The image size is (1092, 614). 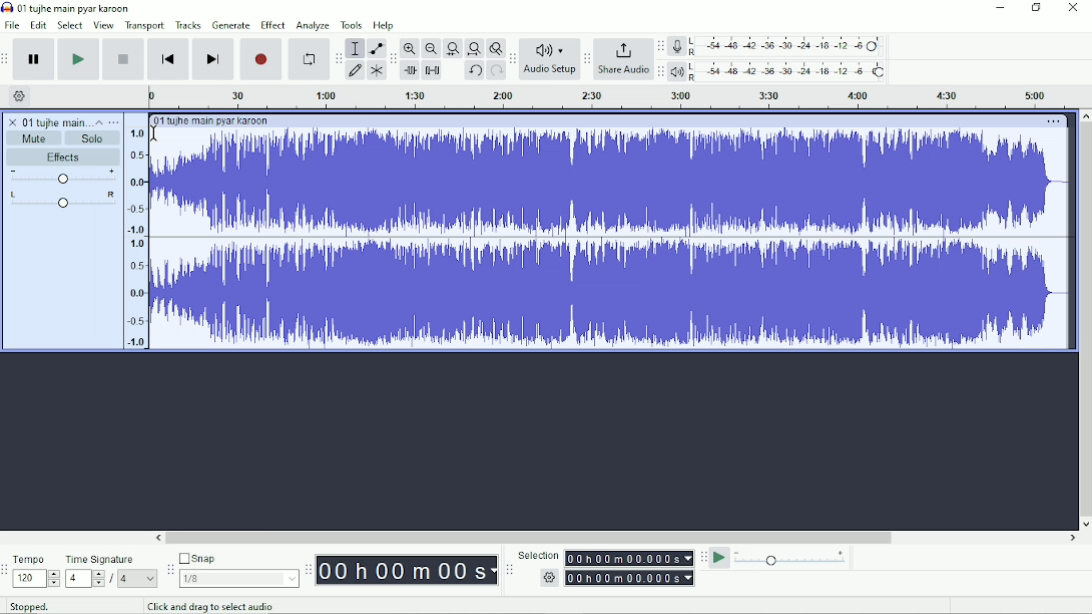 What do you see at coordinates (113, 581) in the screenshot?
I see `/` at bounding box center [113, 581].